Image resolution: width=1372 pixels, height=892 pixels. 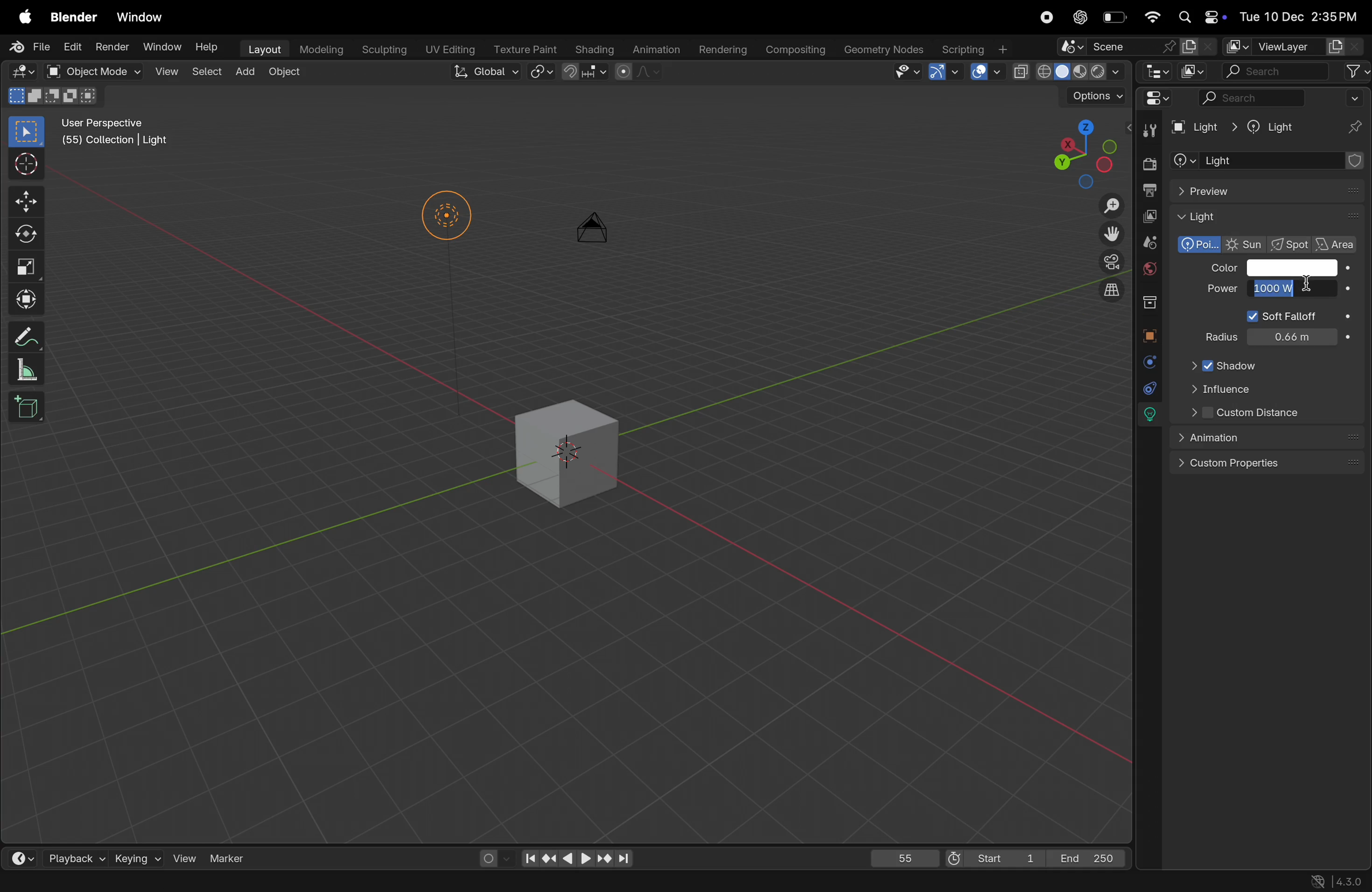 I want to click on cursor, so click(x=27, y=164).